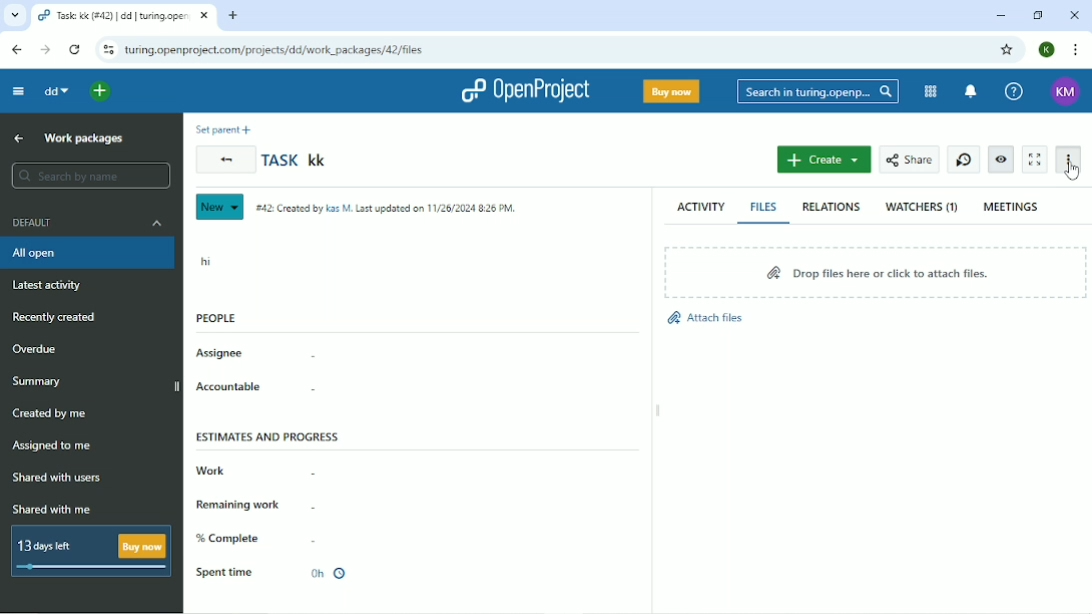  I want to click on More, so click(1071, 161).